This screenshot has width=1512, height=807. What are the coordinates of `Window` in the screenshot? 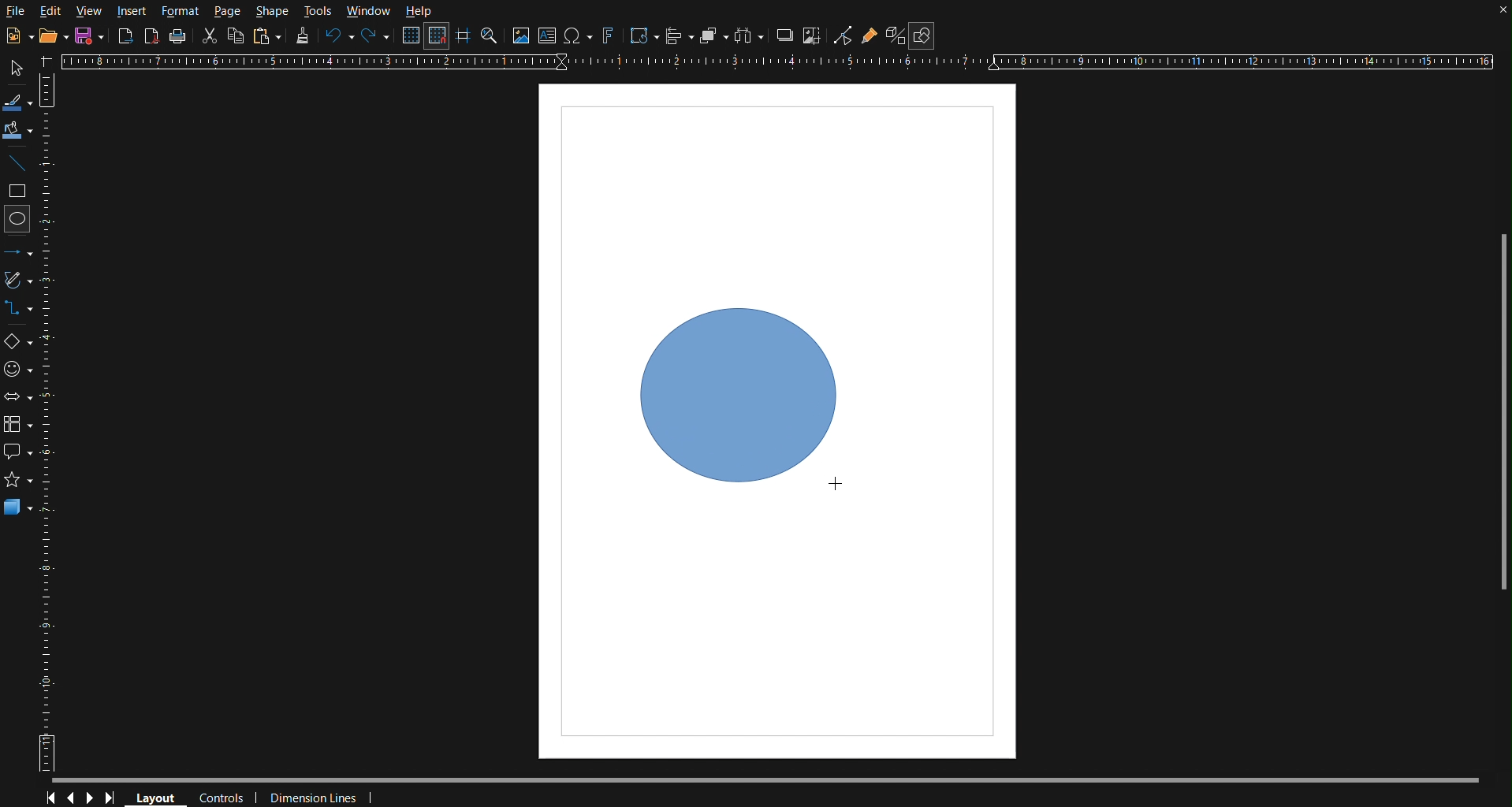 It's located at (368, 10).